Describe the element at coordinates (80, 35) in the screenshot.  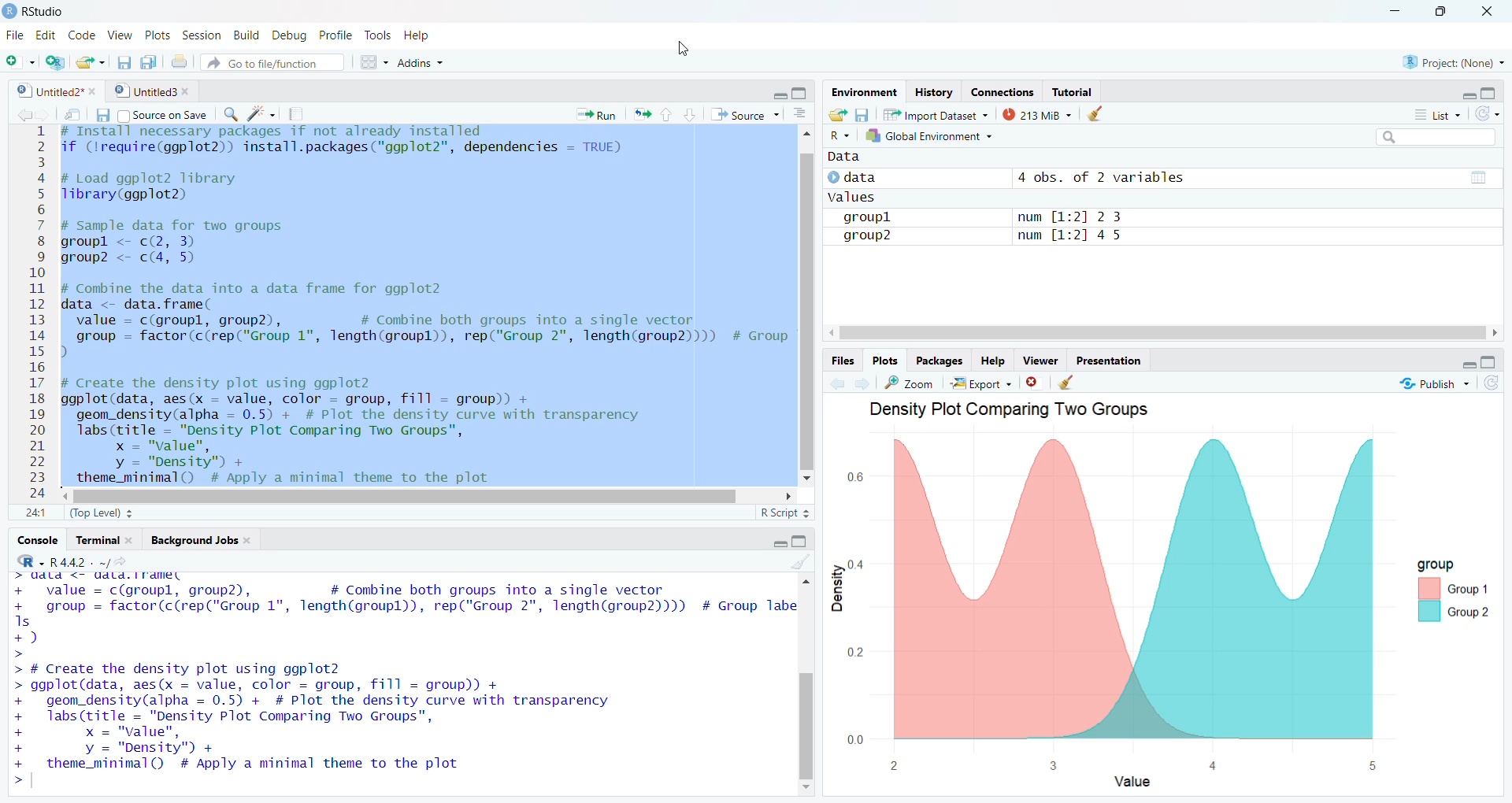
I see `code` at that location.